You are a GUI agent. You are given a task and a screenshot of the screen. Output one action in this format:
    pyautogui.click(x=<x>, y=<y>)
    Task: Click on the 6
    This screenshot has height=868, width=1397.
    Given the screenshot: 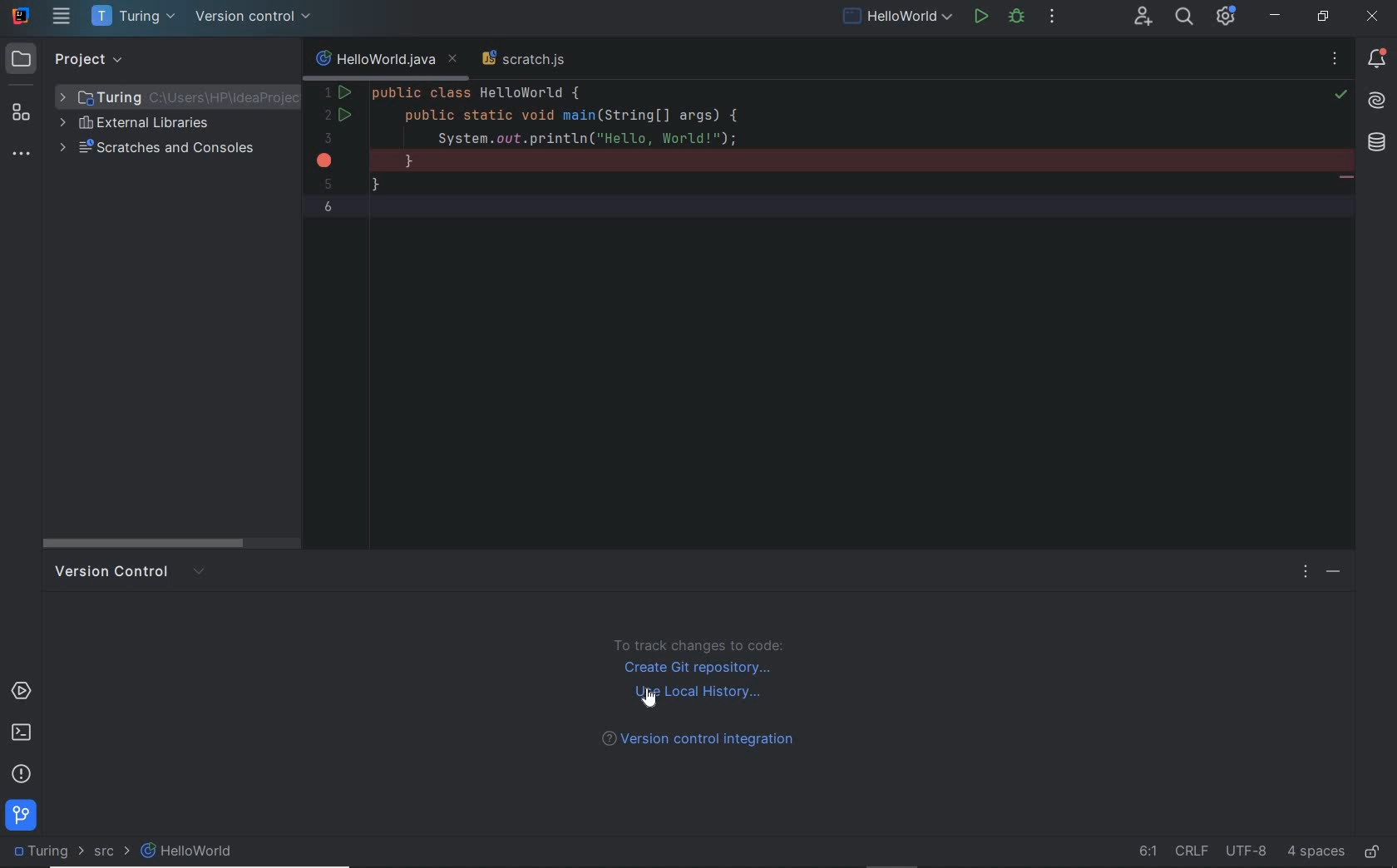 What is the action you would take?
    pyautogui.click(x=329, y=206)
    